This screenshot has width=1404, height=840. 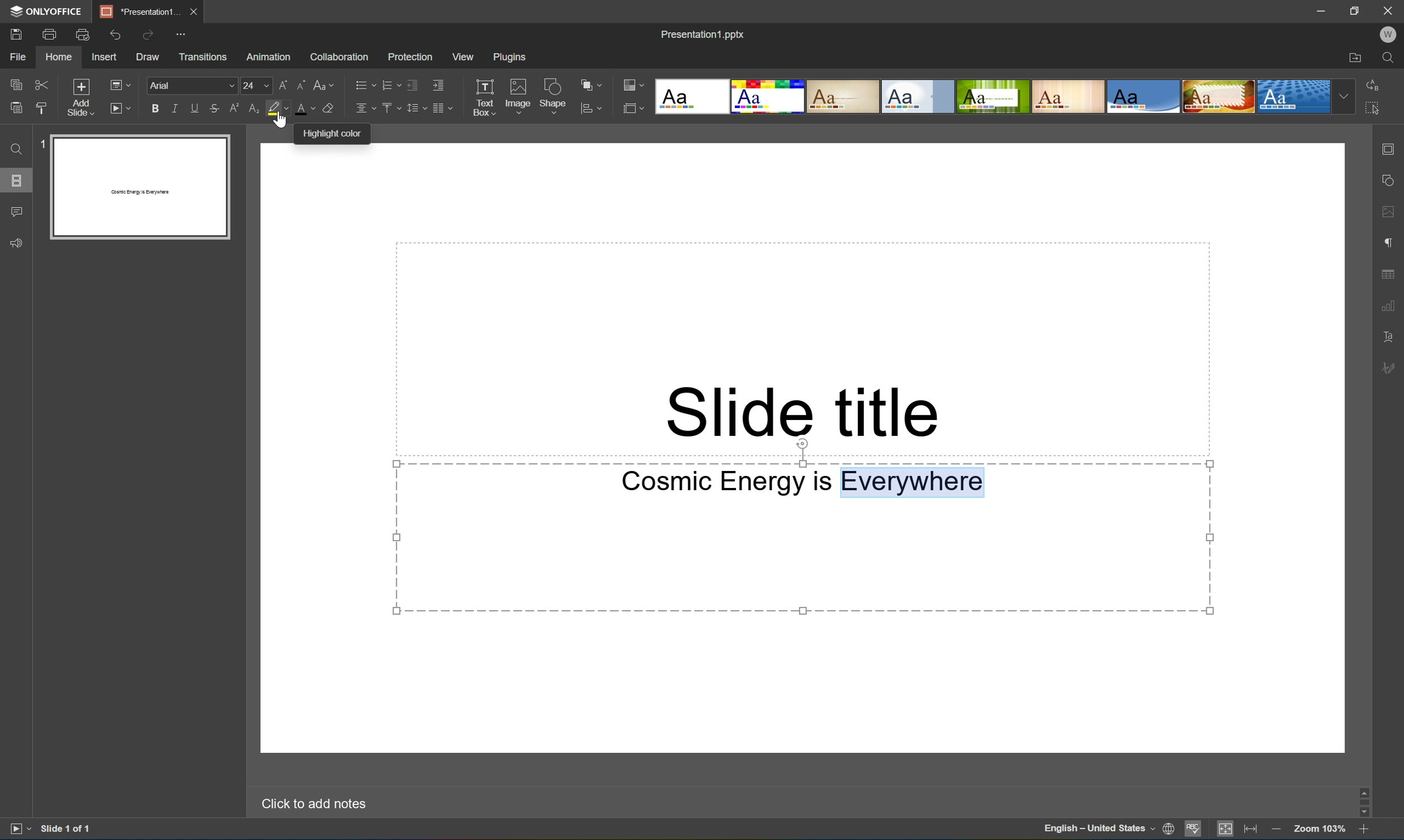 I want to click on Protection, so click(x=410, y=54).